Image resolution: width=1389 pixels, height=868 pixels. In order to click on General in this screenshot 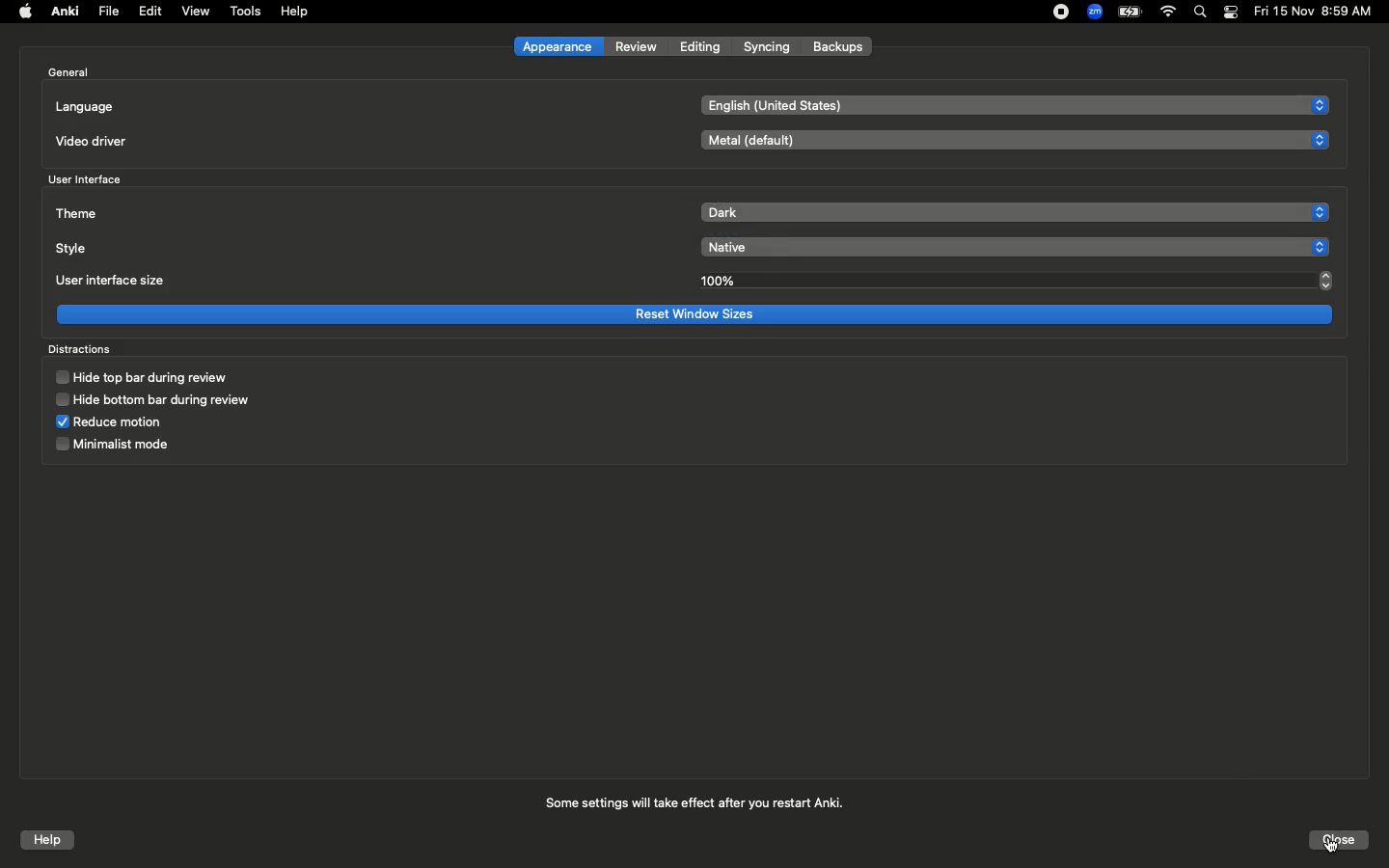, I will do `click(72, 69)`.